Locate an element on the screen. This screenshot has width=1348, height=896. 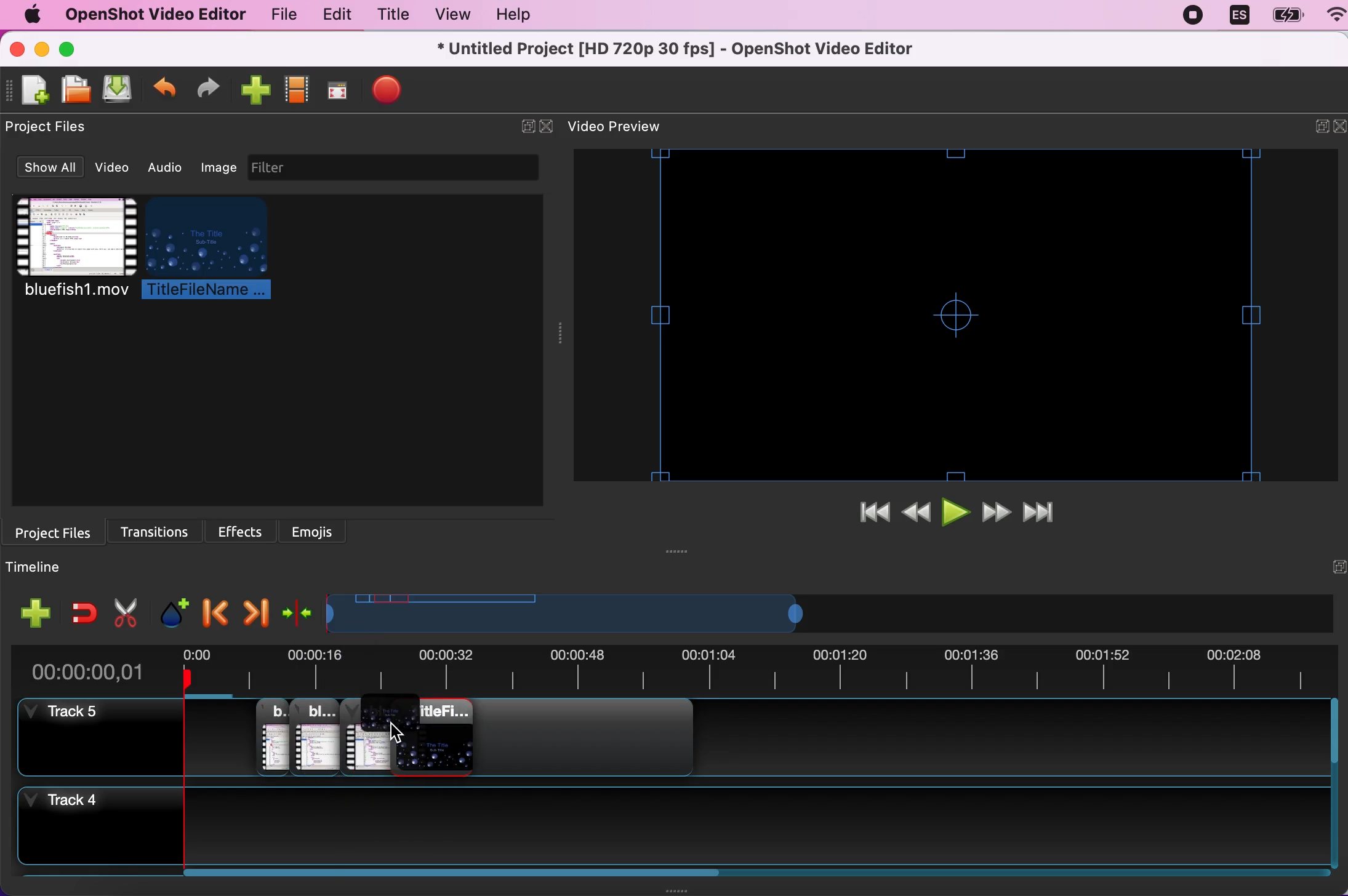
show all is located at coordinates (48, 169).